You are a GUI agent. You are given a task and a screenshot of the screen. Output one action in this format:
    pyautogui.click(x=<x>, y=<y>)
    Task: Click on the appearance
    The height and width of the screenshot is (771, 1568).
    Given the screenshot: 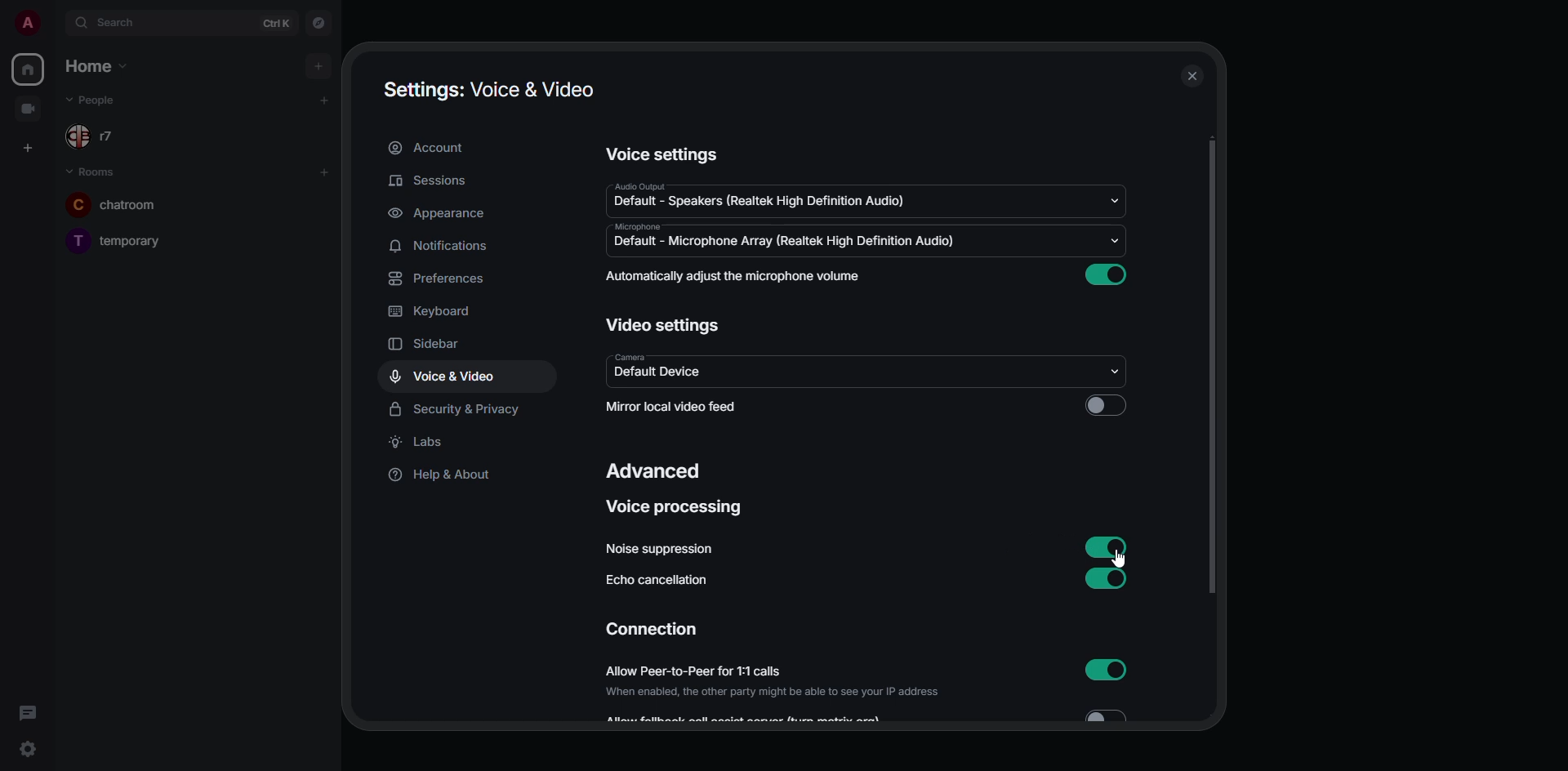 What is the action you would take?
    pyautogui.click(x=437, y=213)
    